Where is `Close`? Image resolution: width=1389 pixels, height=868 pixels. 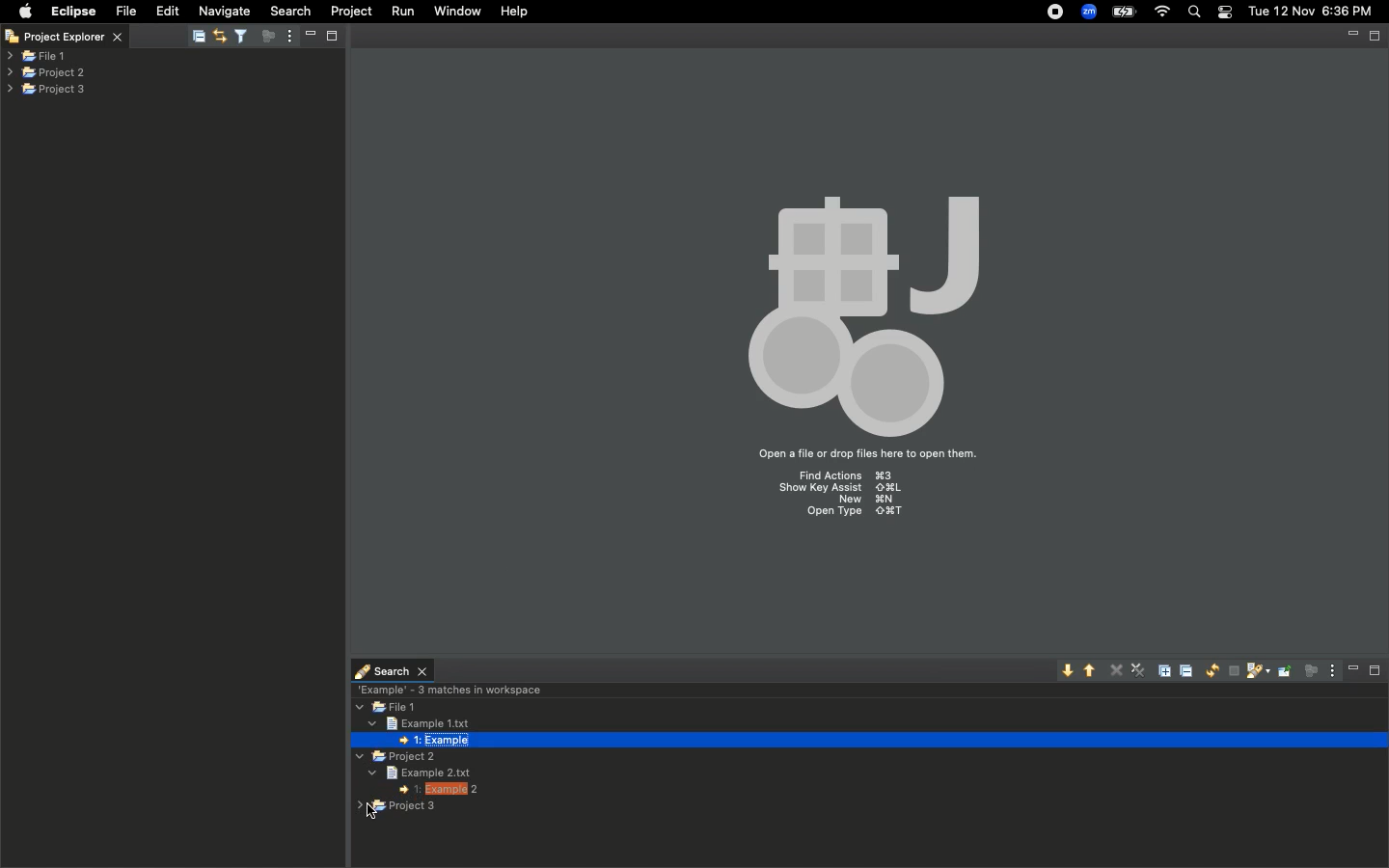
Close is located at coordinates (12, 39).